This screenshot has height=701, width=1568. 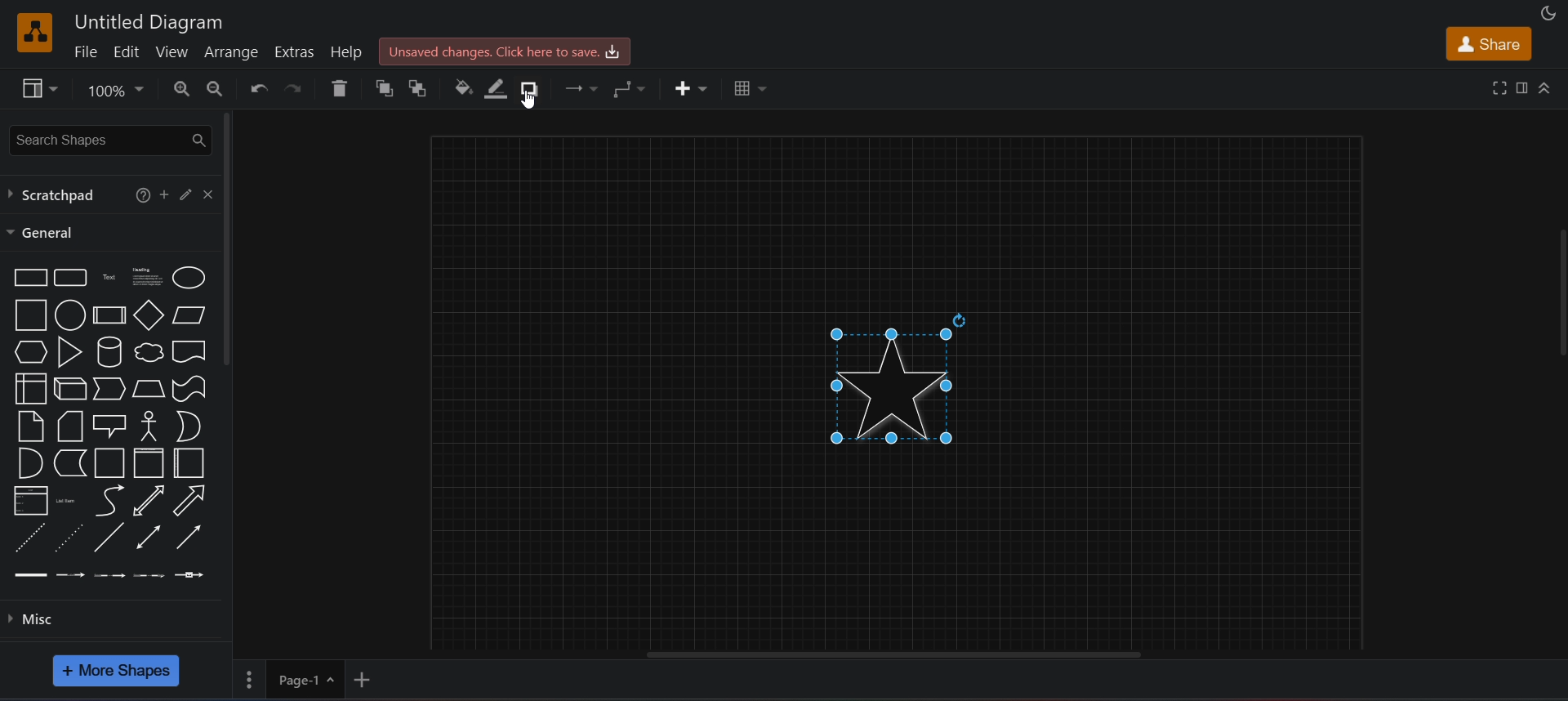 What do you see at coordinates (193, 574) in the screenshot?
I see `Connector with symbol` at bounding box center [193, 574].